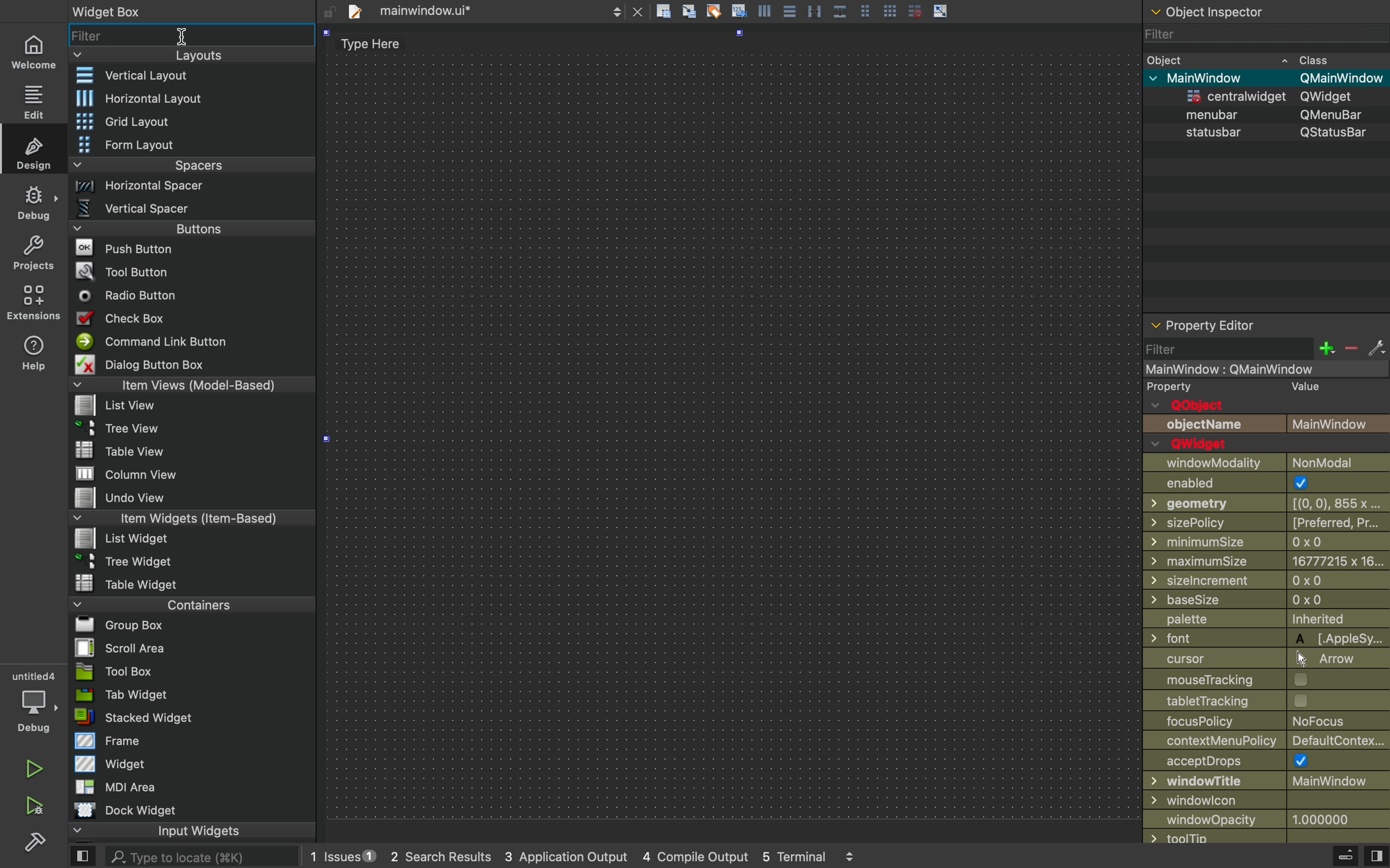 The width and height of the screenshot is (1390, 868). What do you see at coordinates (206, 855) in the screenshot?
I see `search ` at bounding box center [206, 855].